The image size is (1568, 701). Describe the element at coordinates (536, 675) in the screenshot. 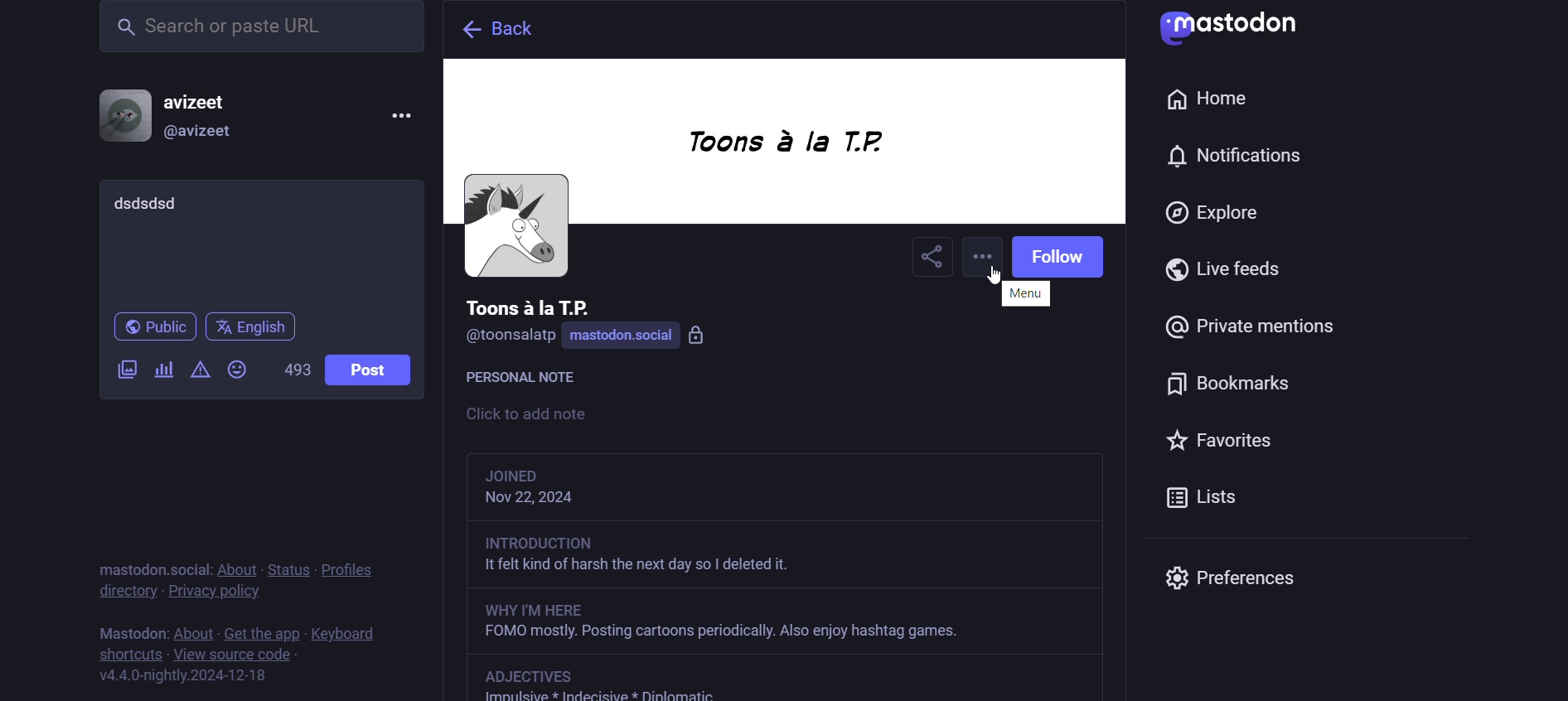

I see `link` at that location.